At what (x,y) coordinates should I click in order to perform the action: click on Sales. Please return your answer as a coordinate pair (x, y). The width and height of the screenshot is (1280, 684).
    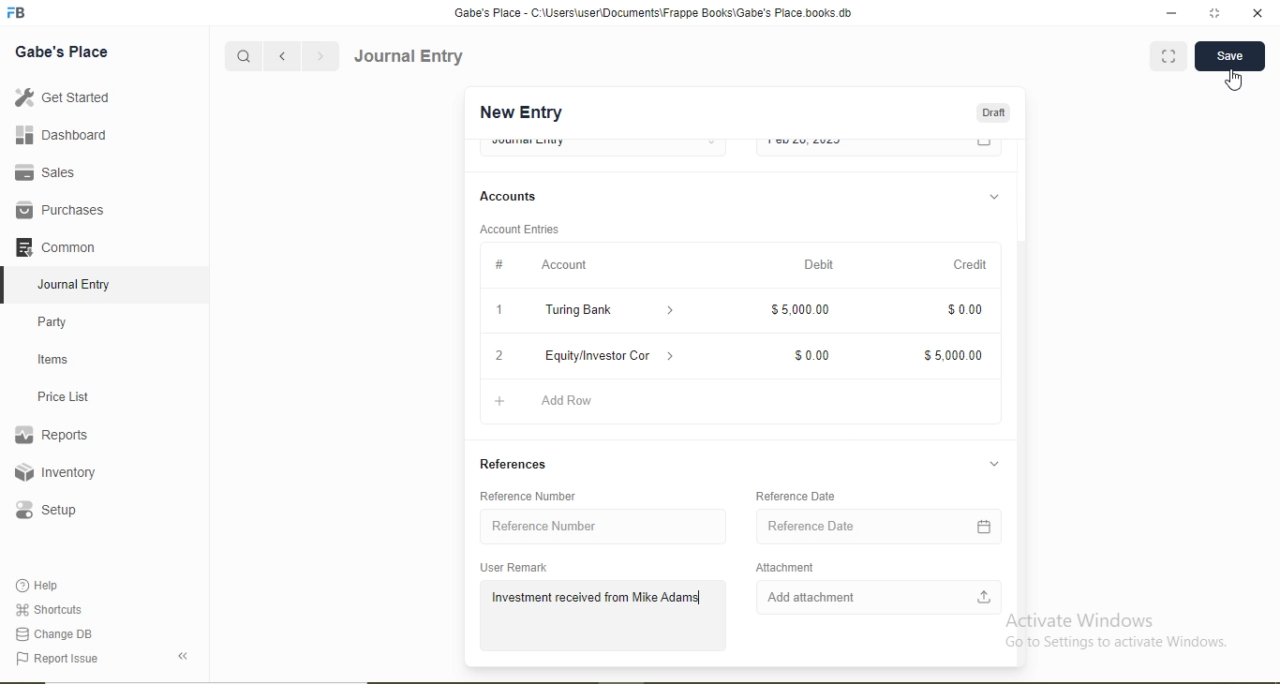
    Looking at the image, I should click on (42, 172).